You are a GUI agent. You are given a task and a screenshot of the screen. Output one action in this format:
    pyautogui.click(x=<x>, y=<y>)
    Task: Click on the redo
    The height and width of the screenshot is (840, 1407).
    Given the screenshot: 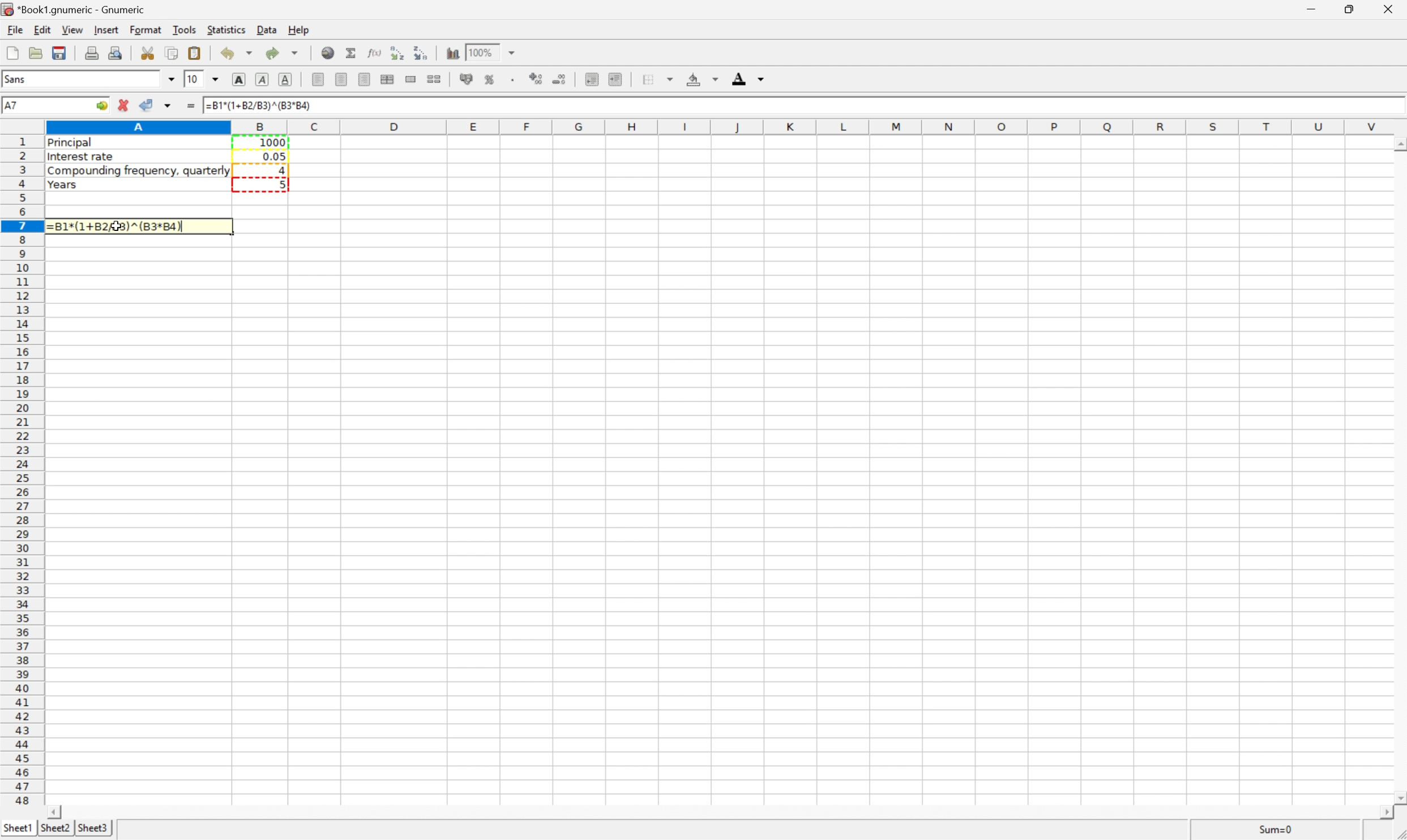 What is the action you would take?
    pyautogui.click(x=283, y=52)
    